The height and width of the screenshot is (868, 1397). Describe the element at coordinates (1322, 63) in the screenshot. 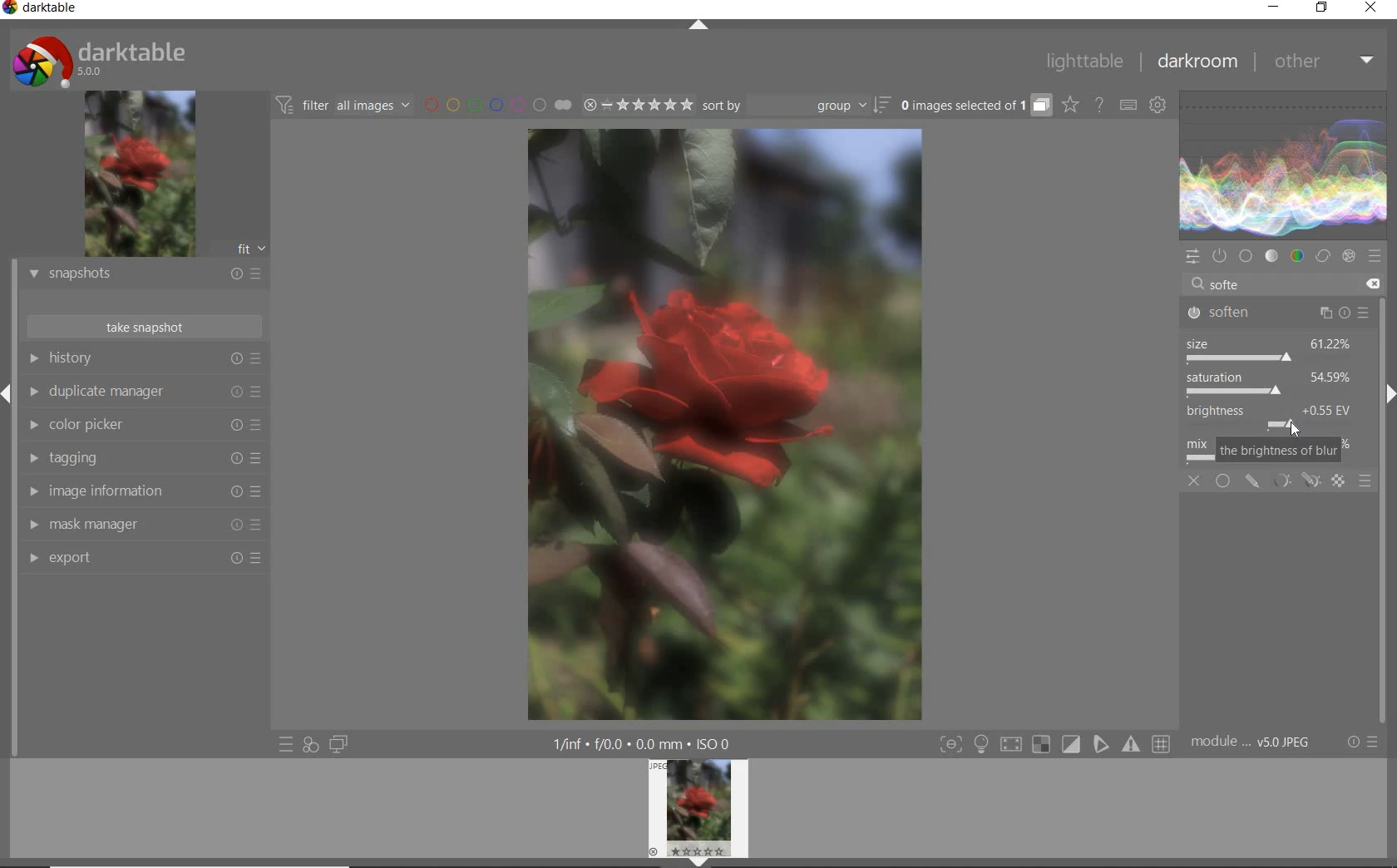

I see `other` at that location.